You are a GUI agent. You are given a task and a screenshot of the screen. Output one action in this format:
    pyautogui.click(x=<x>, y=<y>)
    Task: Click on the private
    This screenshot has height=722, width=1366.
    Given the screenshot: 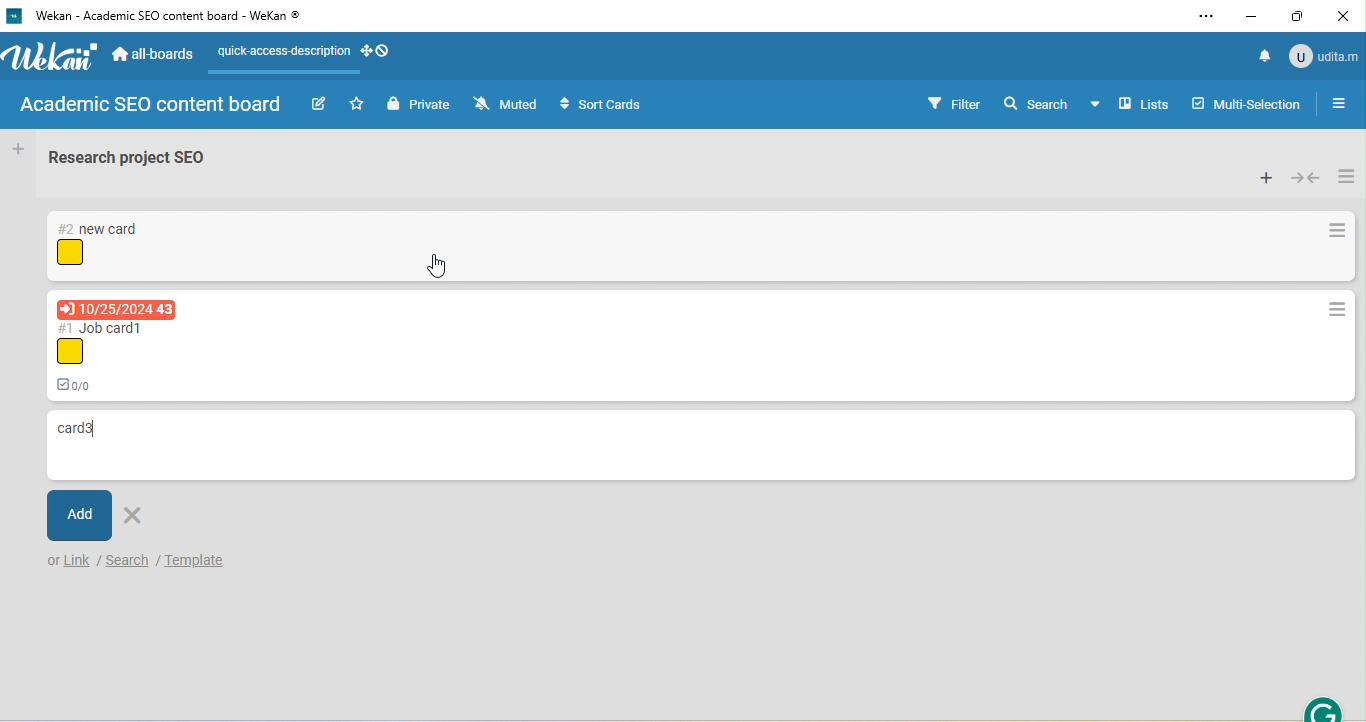 What is the action you would take?
    pyautogui.click(x=419, y=106)
    